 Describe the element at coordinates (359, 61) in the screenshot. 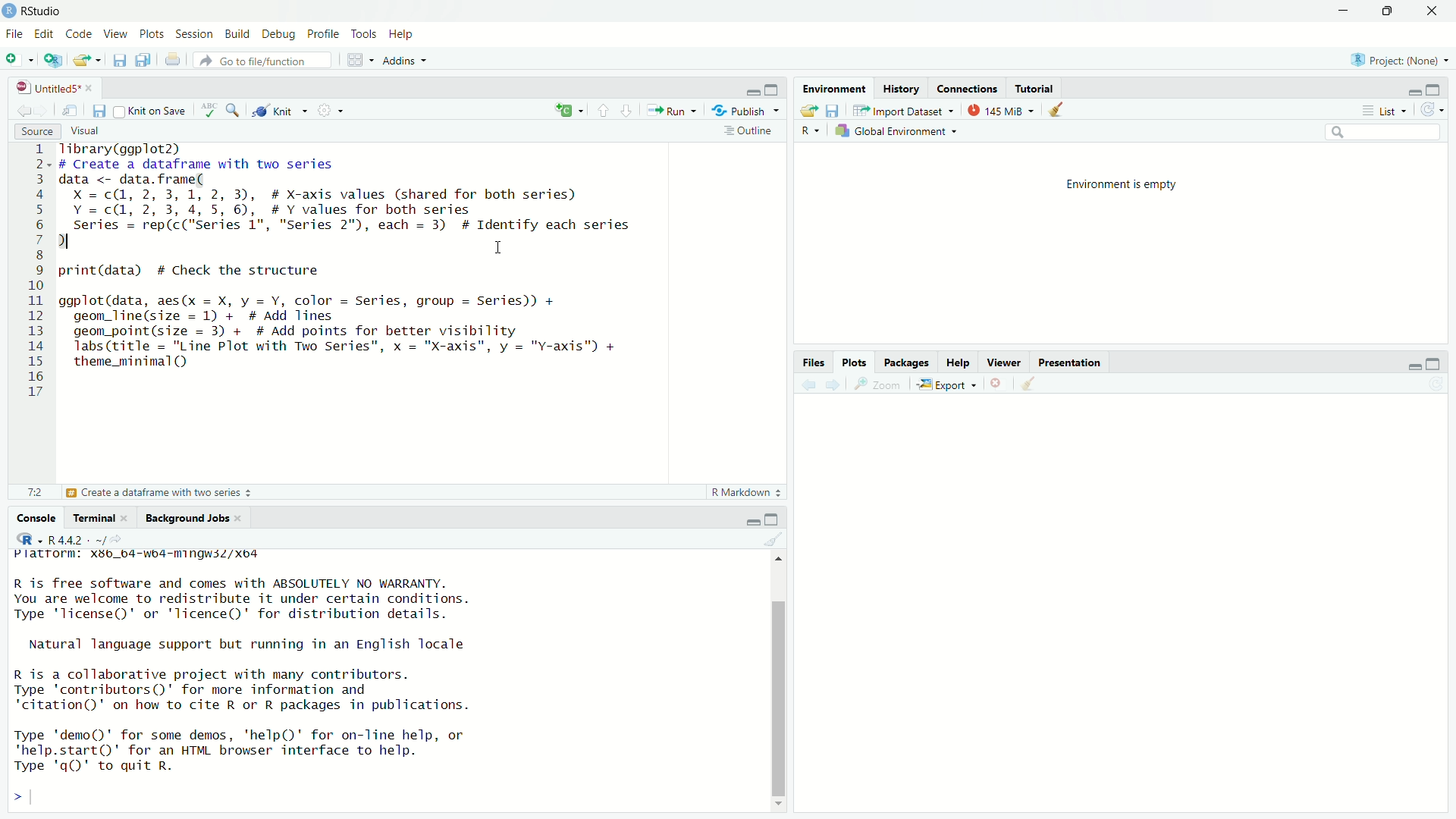

I see `Workspace Pane` at that location.